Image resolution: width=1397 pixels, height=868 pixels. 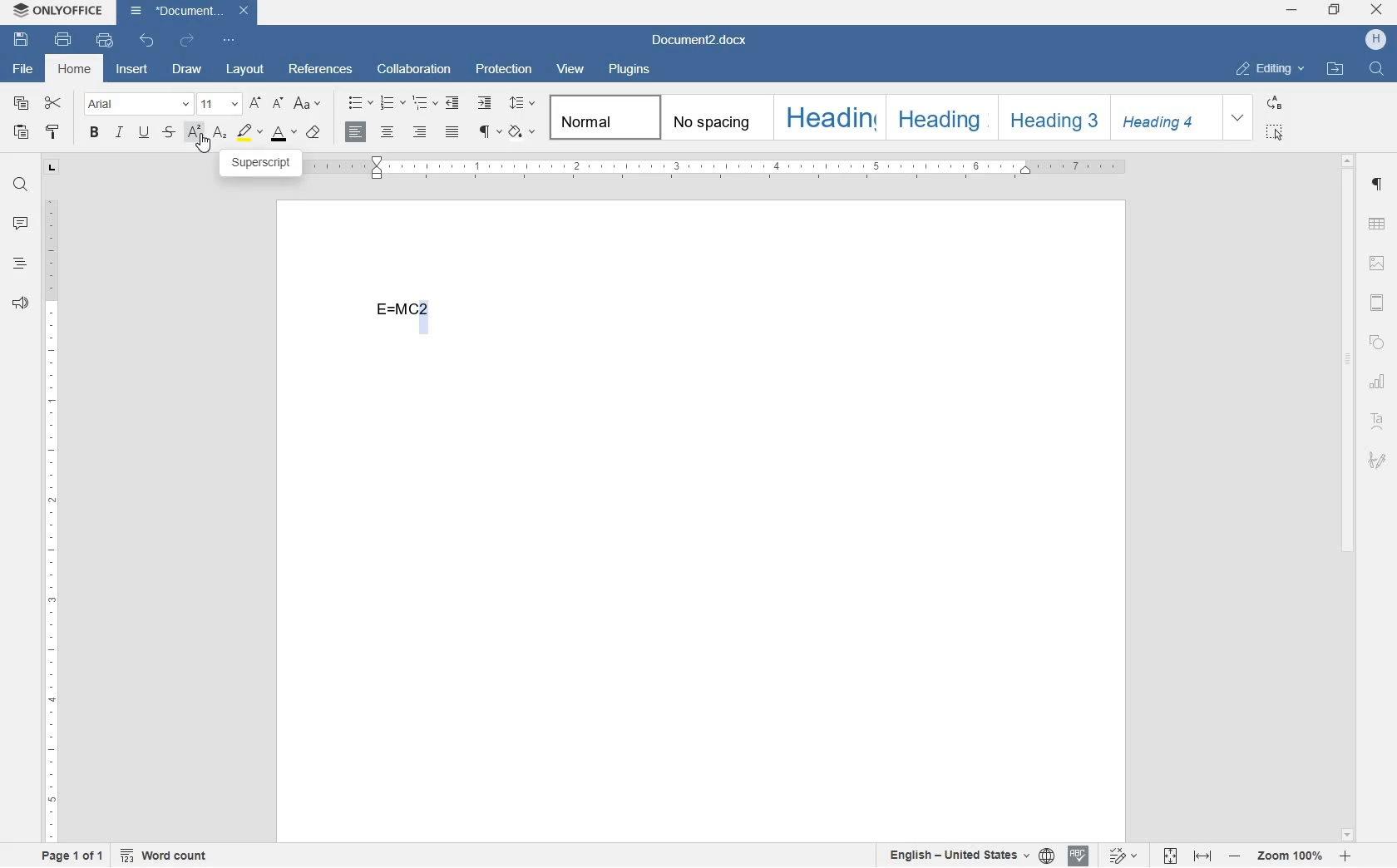 What do you see at coordinates (484, 102) in the screenshot?
I see `increase indent` at bounding box center [484, 102].